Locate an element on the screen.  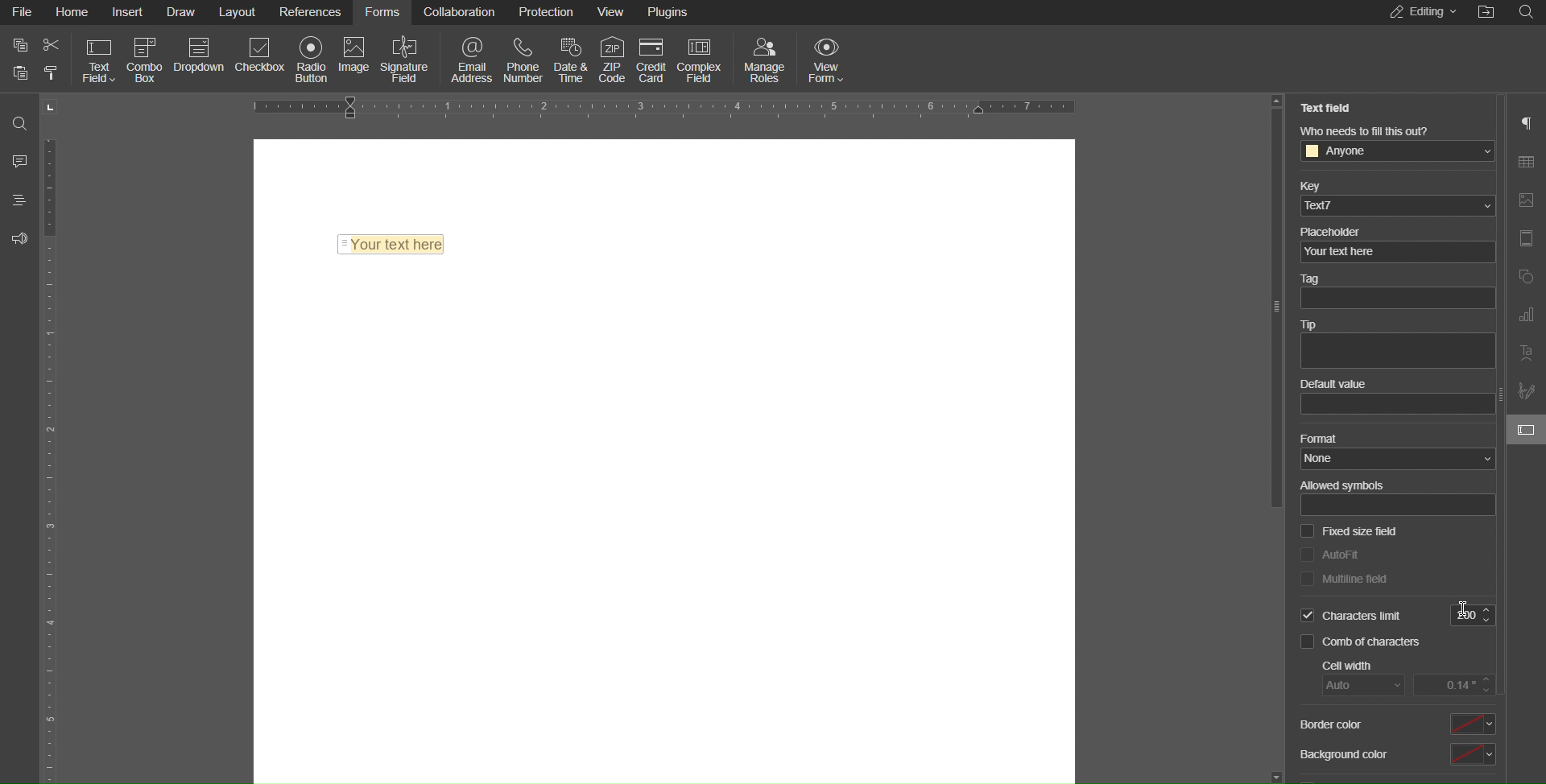
ZIP Code is located at coordinates (613, 56).